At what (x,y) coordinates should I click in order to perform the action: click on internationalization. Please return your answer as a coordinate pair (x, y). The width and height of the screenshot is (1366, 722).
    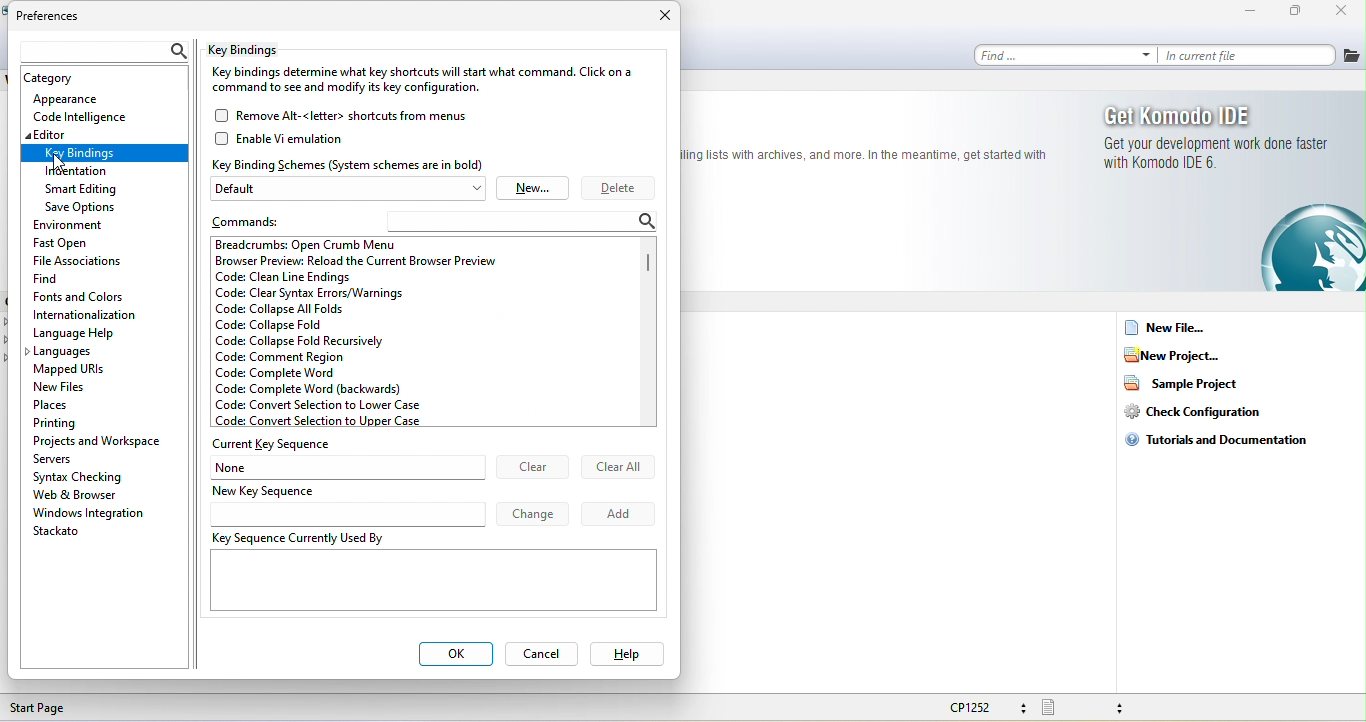
    Looking at the image, I should click on (87, 314).